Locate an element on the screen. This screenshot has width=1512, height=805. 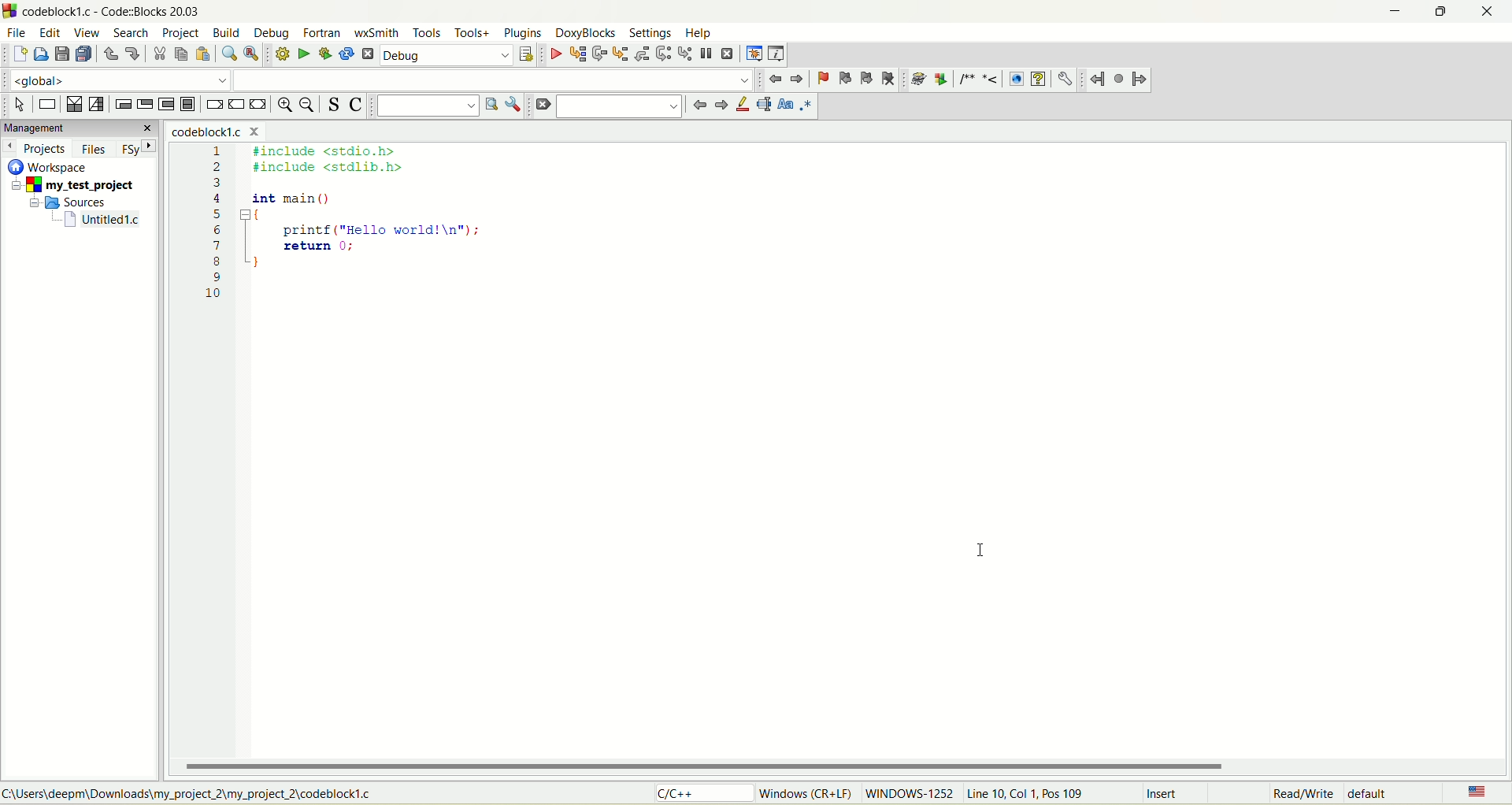
toggle bookmark is located at coordinates (821, 79).